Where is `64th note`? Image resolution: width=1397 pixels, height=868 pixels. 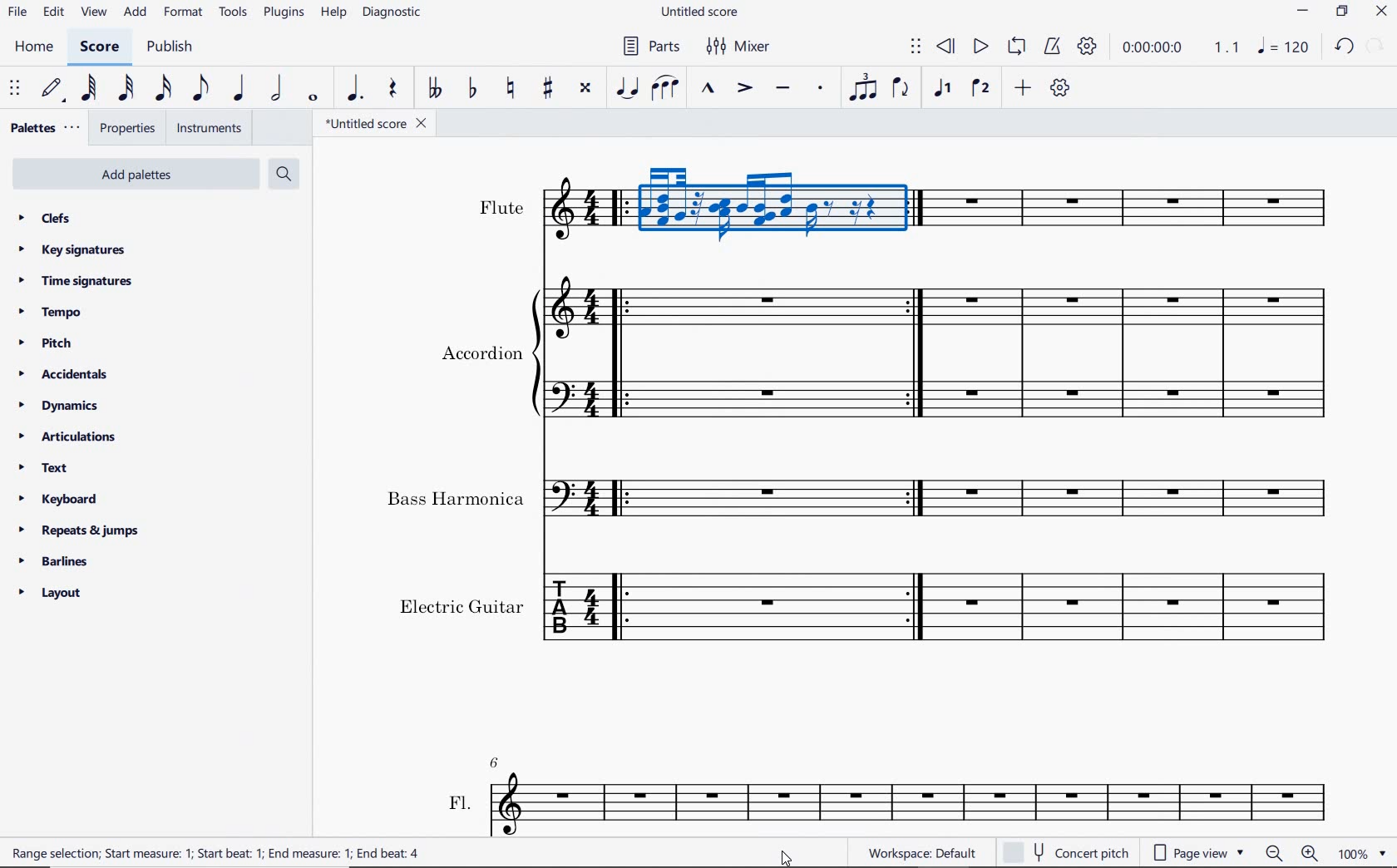 64th note is located at coordinates (91, 88).